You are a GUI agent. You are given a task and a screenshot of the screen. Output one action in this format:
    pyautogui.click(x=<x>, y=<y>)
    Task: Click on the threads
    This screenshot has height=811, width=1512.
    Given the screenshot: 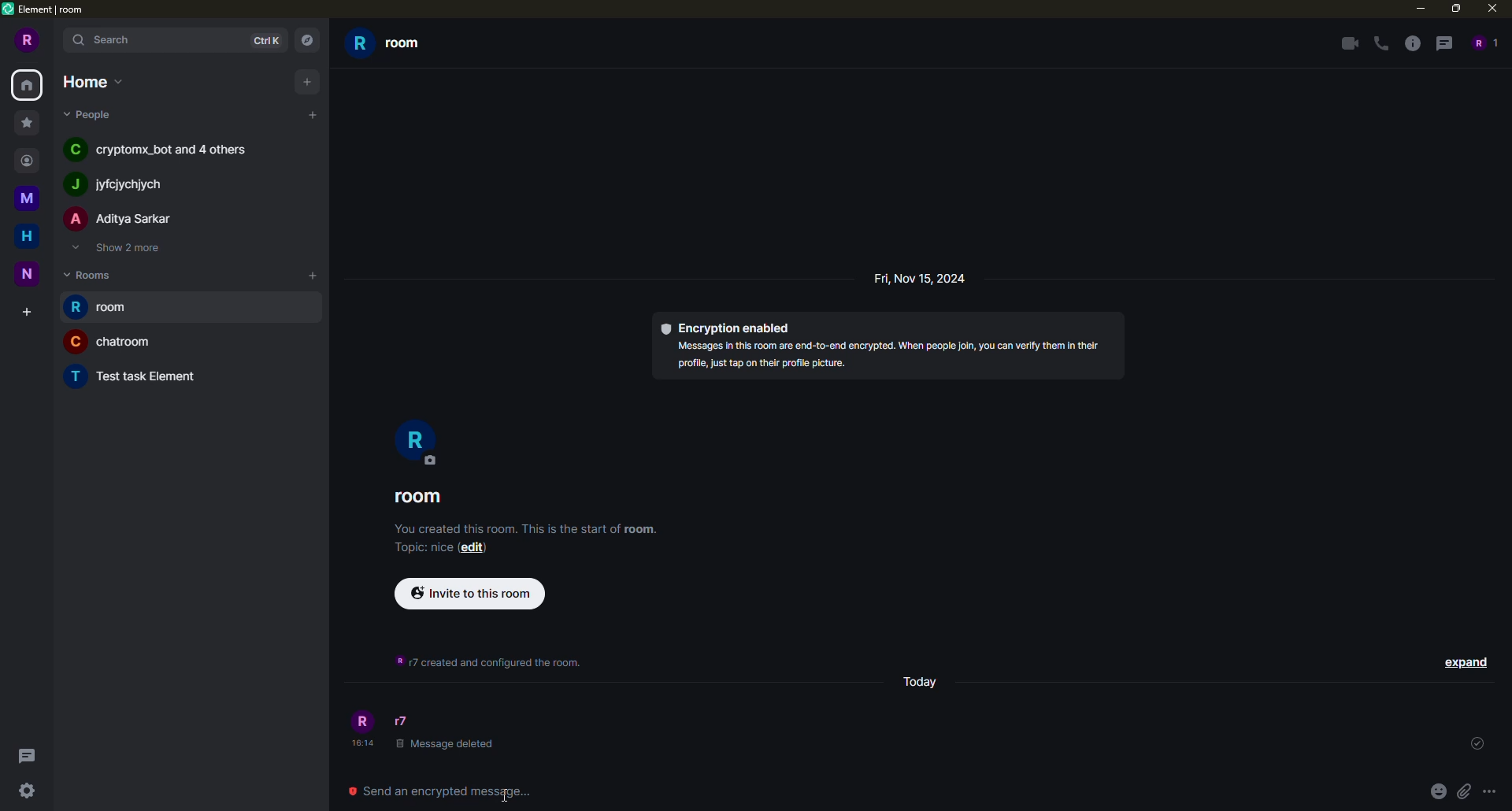 What is the action you would take?
    pyautogui.click(x=1443, y=43)
    